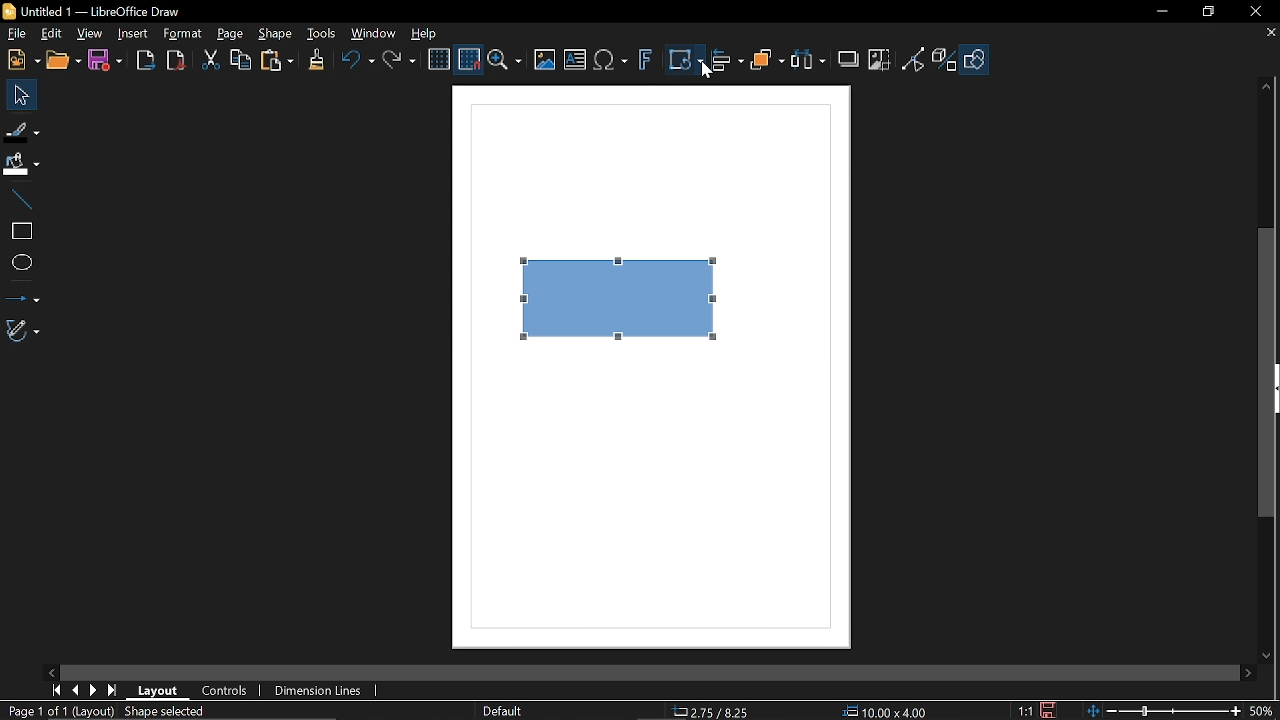  Describe the element at coordinates (52, 671) in the screenshot. I see `MOve left` at that location.